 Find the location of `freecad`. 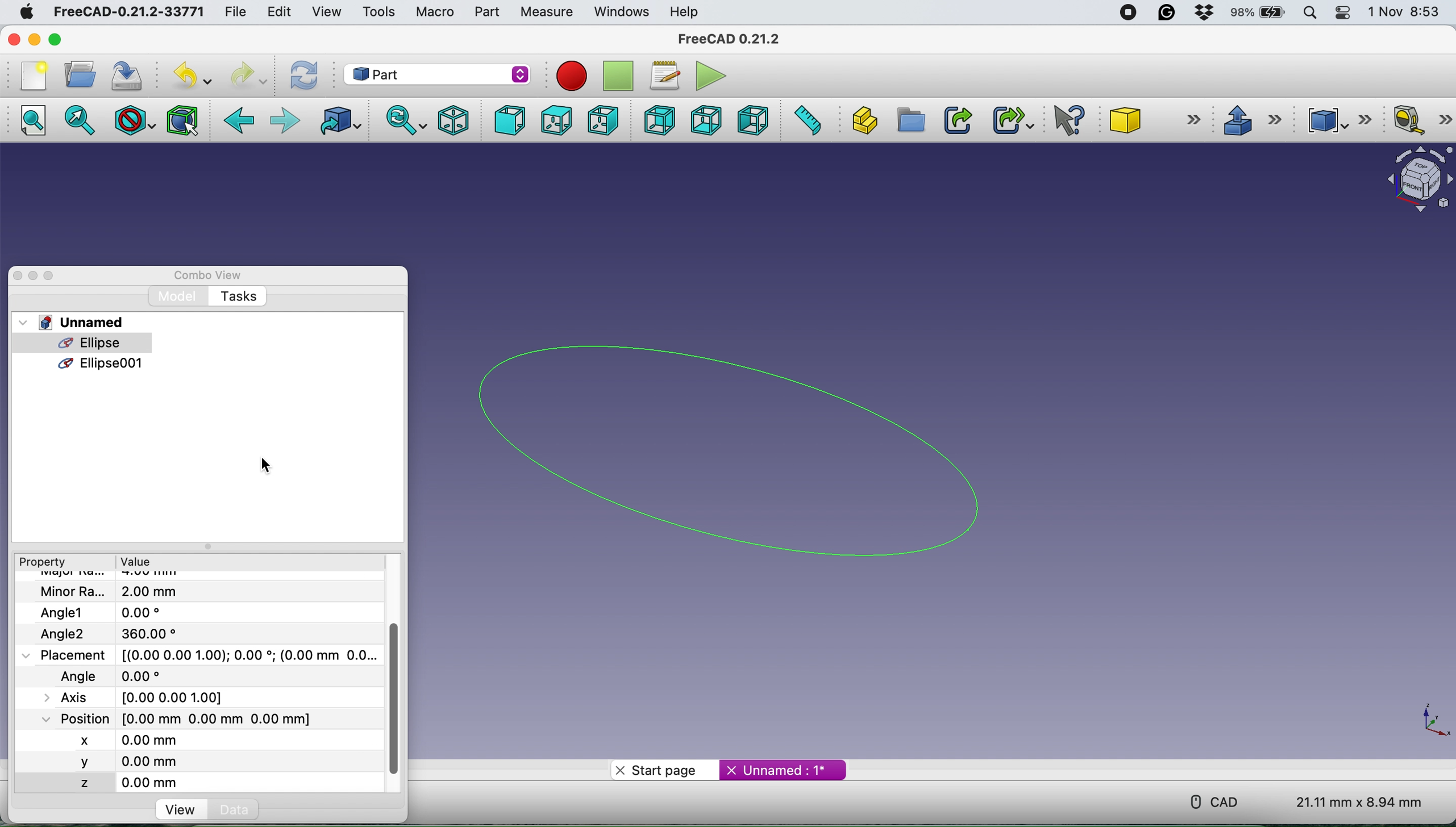

freecad is located at coordinates (727, 40).